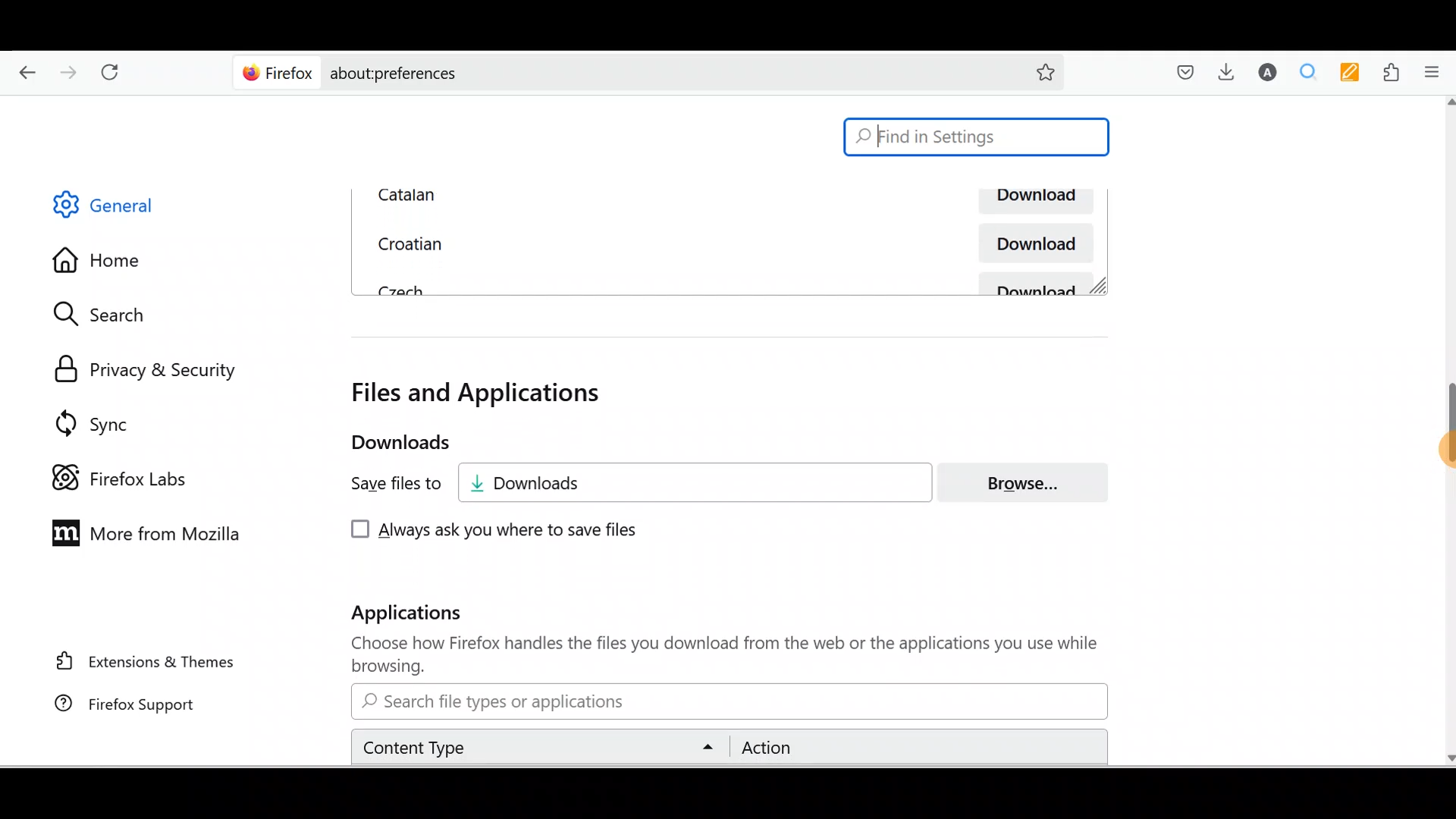 The width and height of the screenshot is (1456, 819). I want to click on scroll down, so click(1447, 756).